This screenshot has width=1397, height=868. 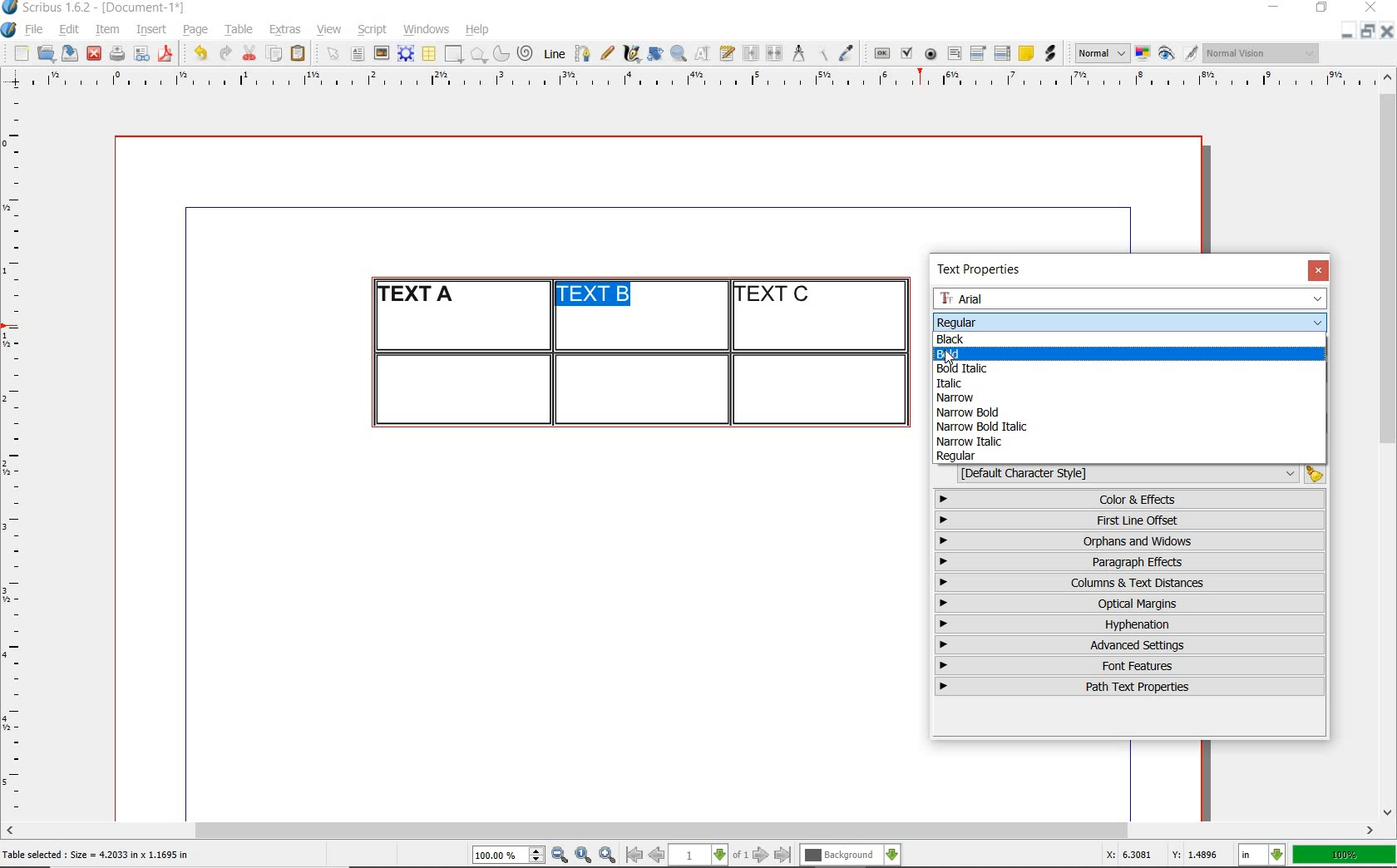 What do you see at coordinates (979, 52) in the screenshot?
I see `pdf combo box` at bounding box center [979, 52].